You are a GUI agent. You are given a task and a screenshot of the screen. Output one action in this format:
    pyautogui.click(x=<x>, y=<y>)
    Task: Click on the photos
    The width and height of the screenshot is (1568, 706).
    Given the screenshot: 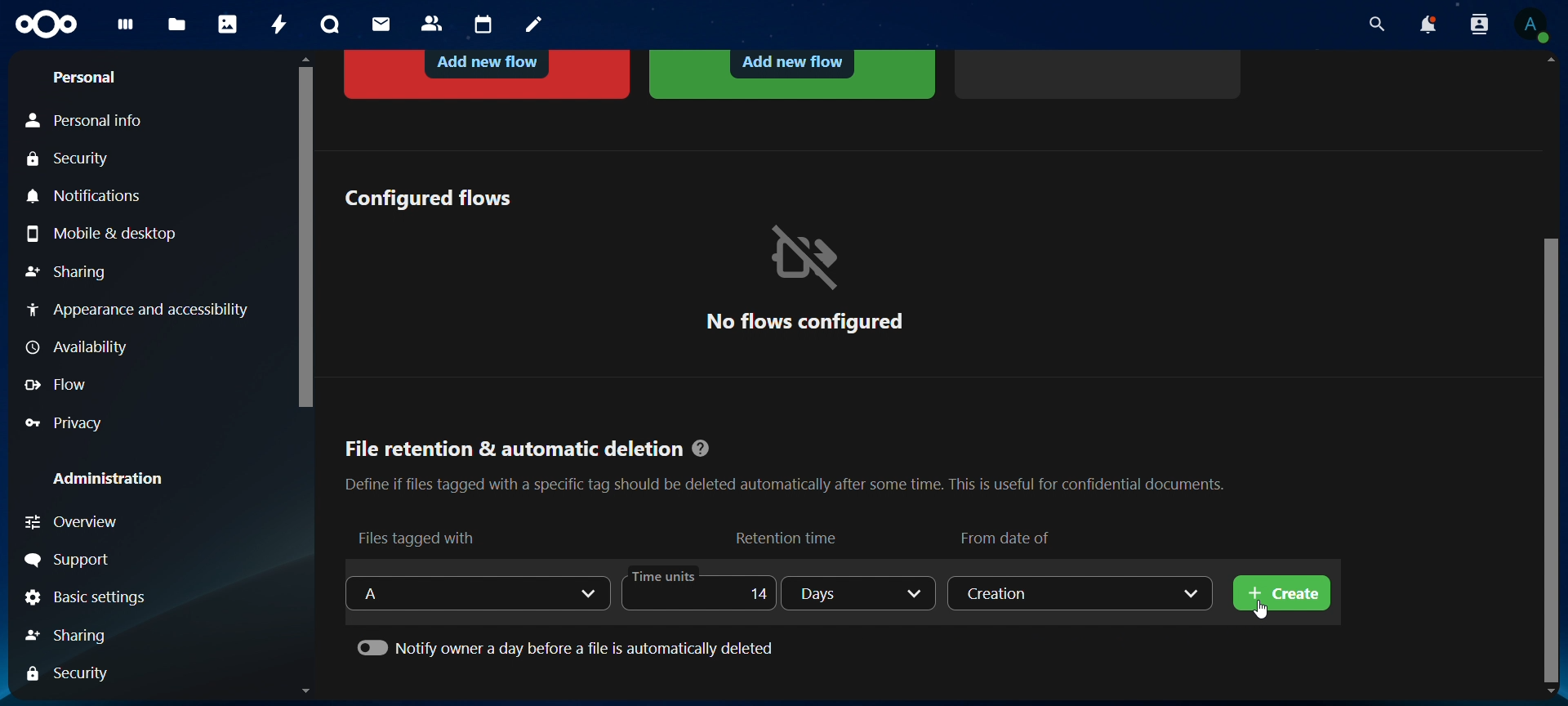 What is the action you would take?
    pyautogui.click(x=228, y=24)
    